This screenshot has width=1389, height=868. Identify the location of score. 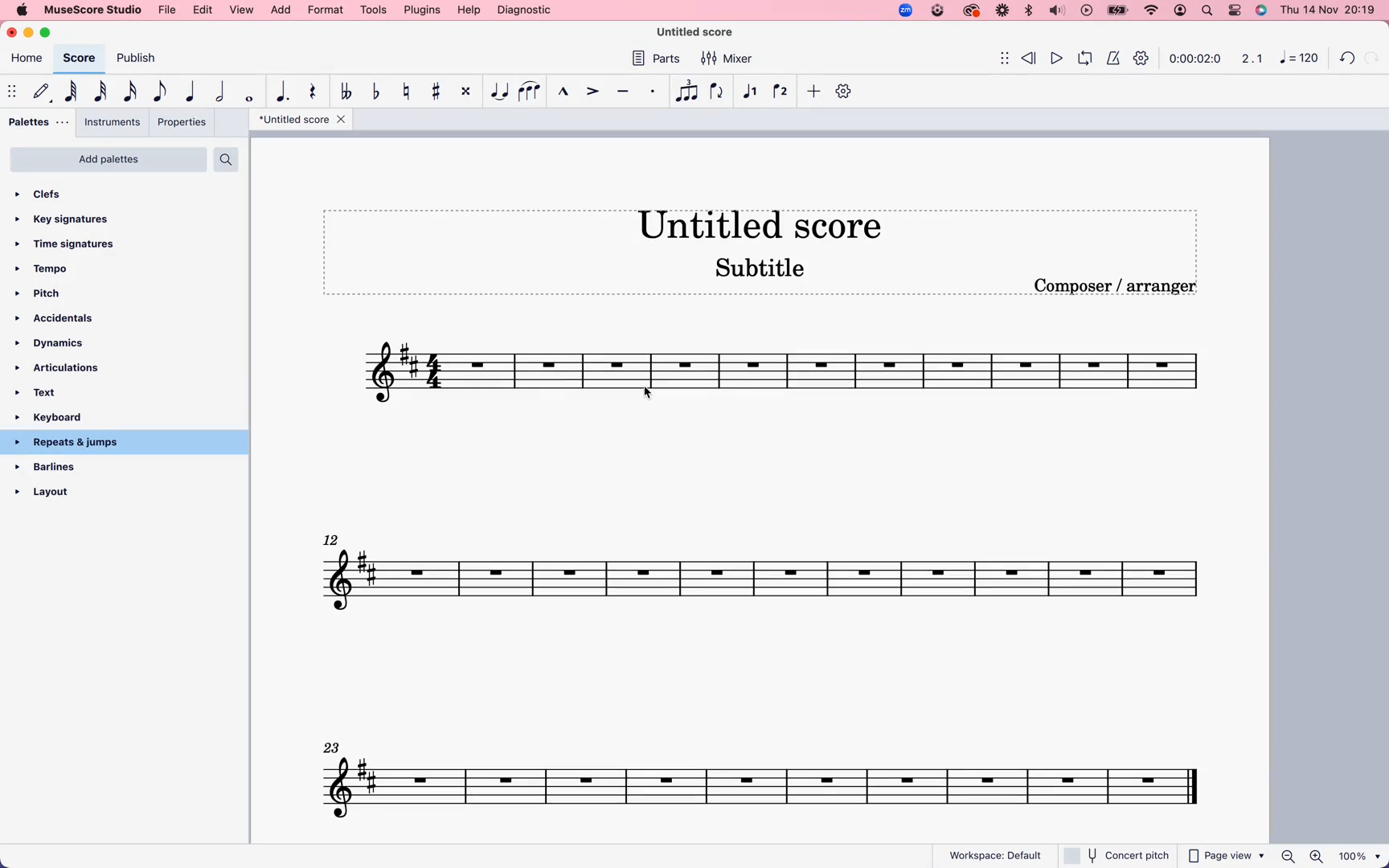
(769, 776).